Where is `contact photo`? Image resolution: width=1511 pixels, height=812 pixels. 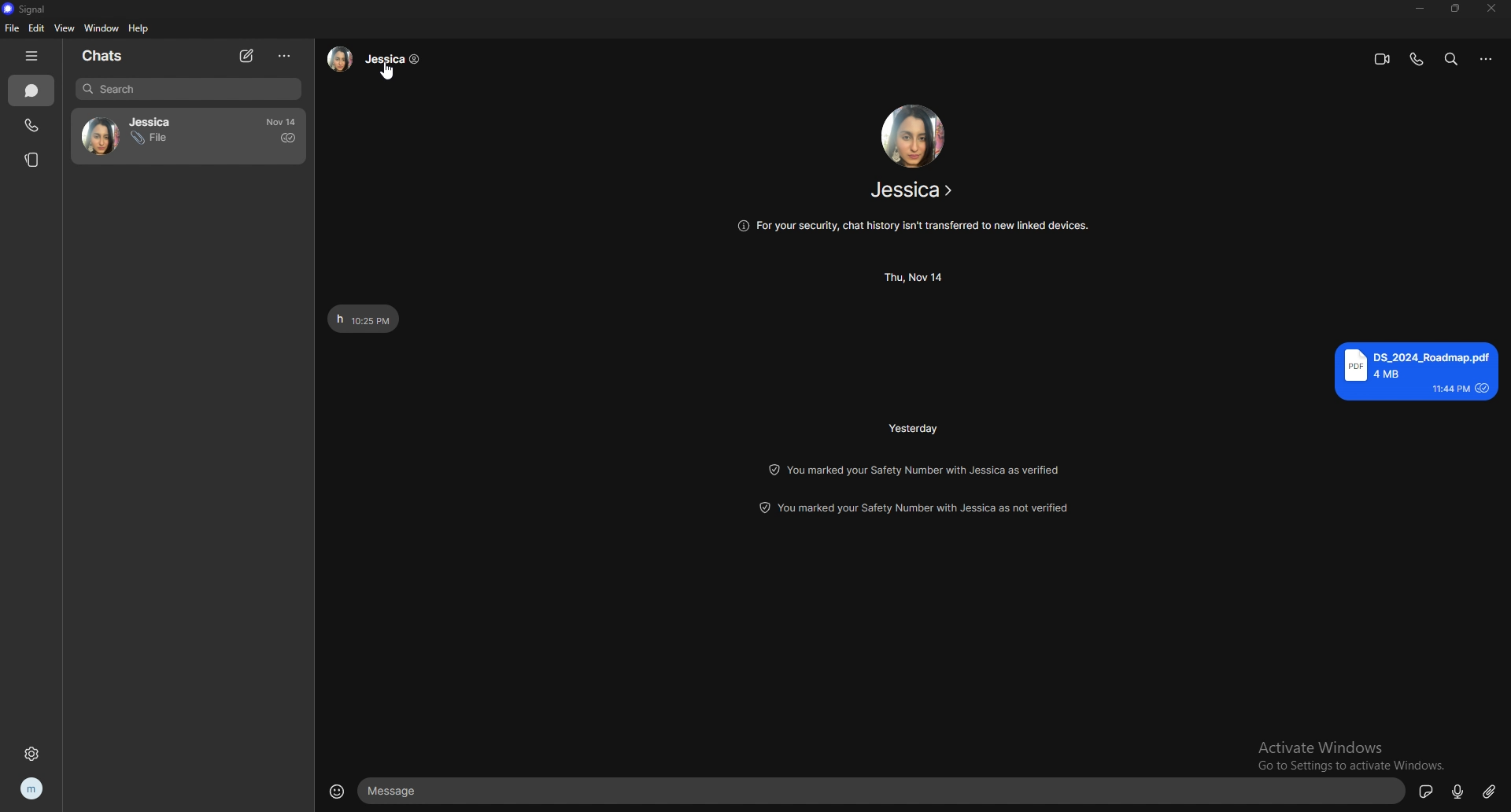
contact photo is located at coordinates (914, 135).